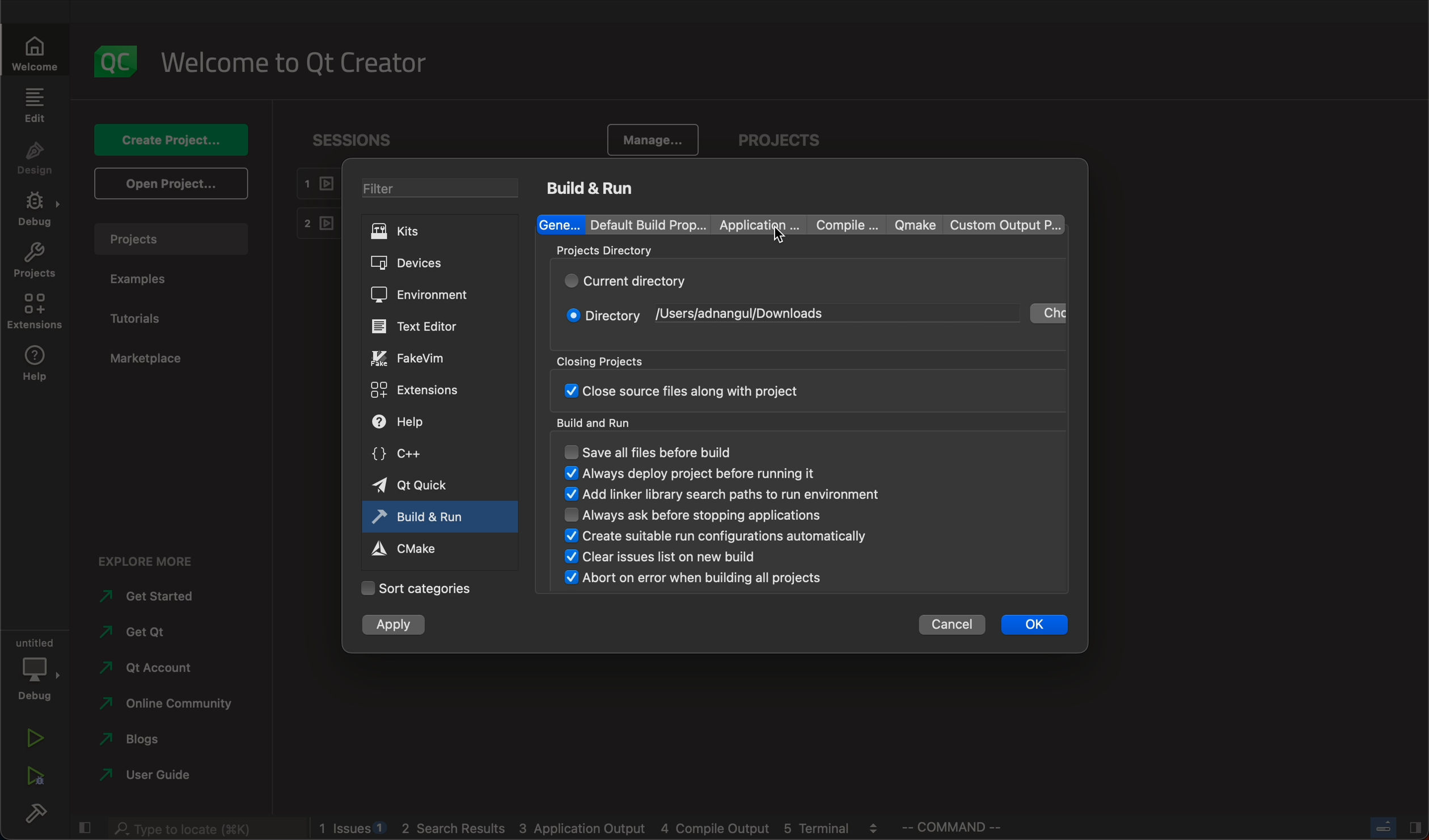 The height and width of the screenshot is (840, 1429). What do you see at coordinates (632, 281) in the screenshot?
I see `Current directory` at bounding box center [632, 281].